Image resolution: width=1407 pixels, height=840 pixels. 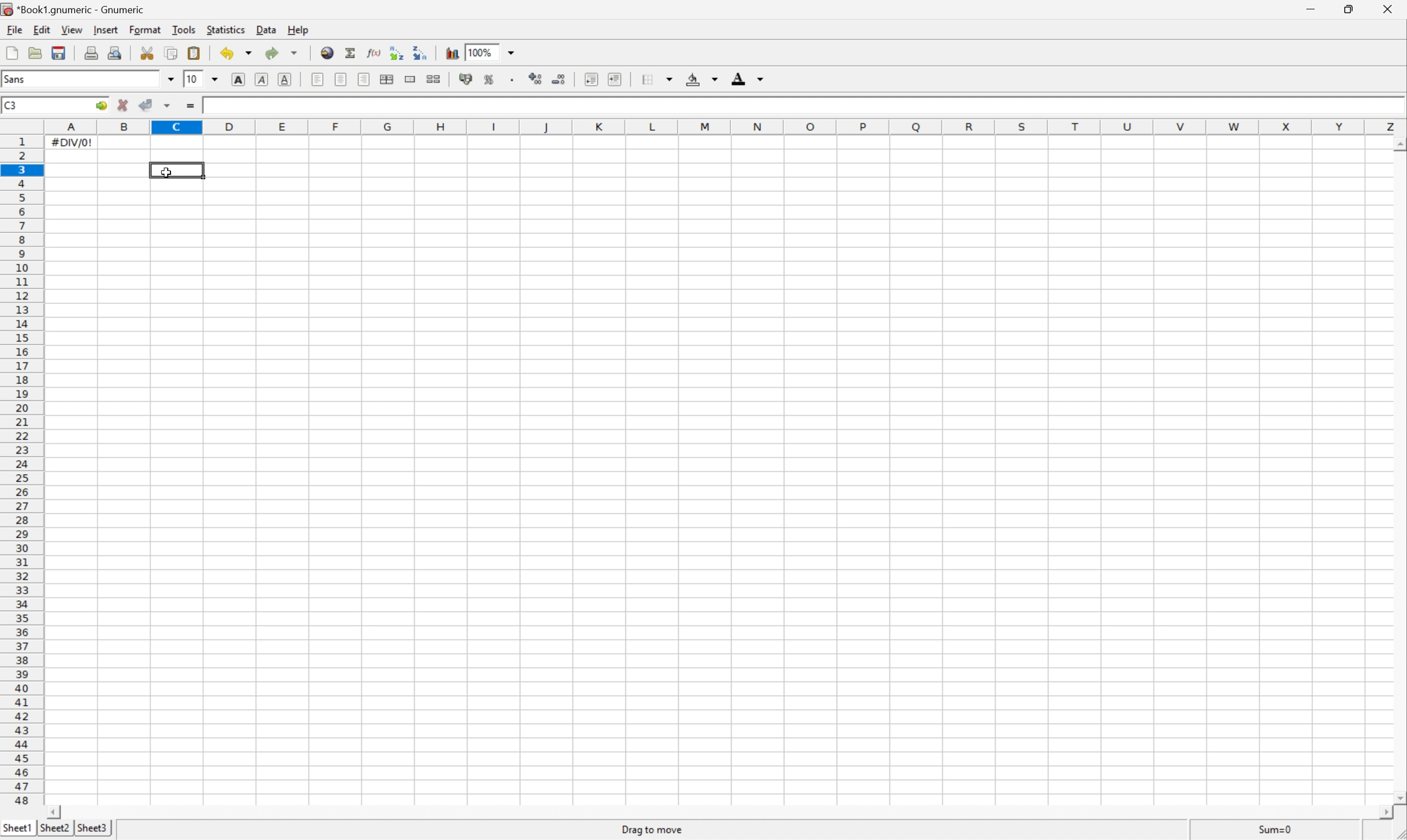 I want to click on edit, so click(x=43, y=31).